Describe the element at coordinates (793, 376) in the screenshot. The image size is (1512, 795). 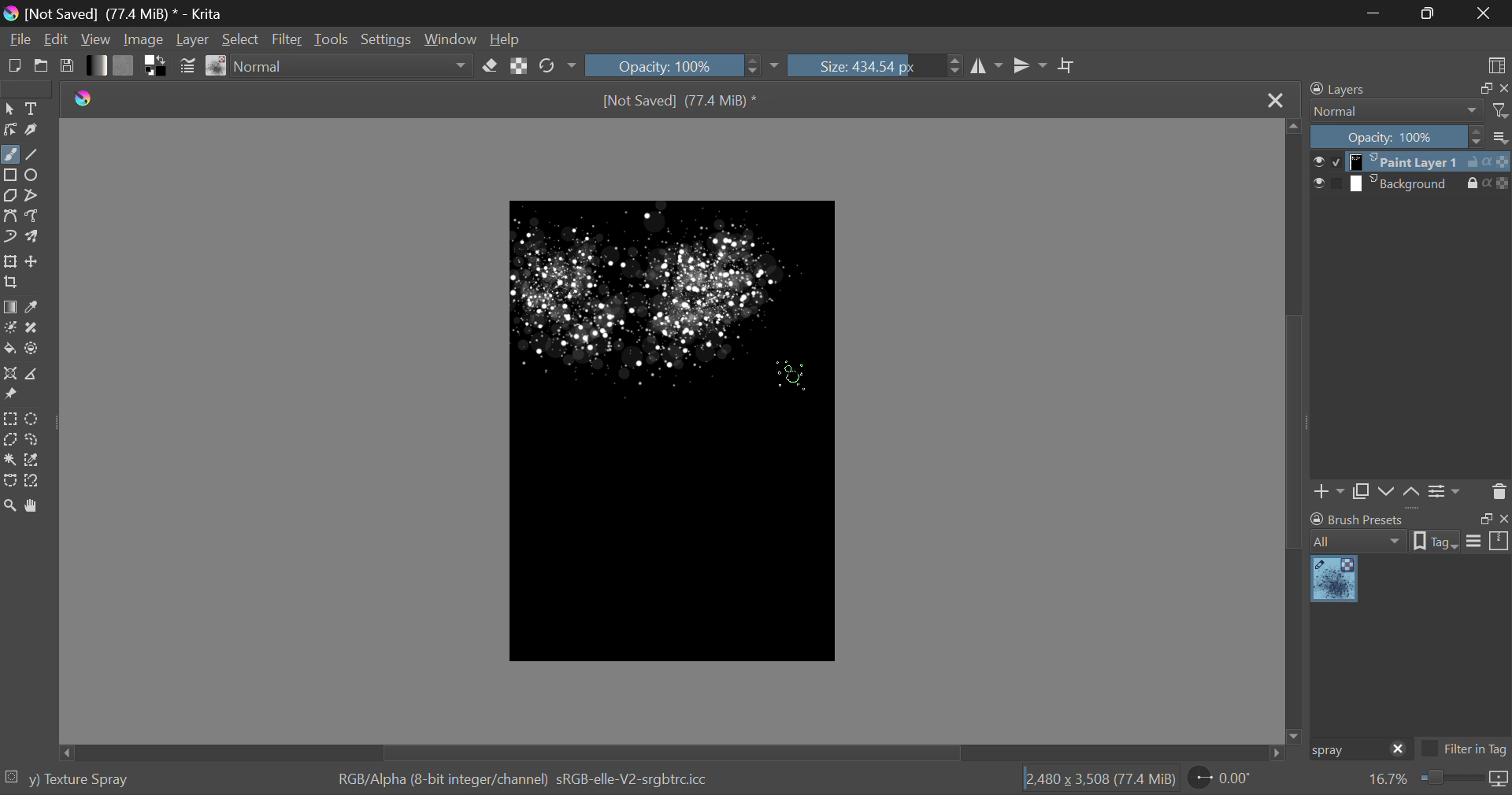
I see `Click Cursor Position` at that location.